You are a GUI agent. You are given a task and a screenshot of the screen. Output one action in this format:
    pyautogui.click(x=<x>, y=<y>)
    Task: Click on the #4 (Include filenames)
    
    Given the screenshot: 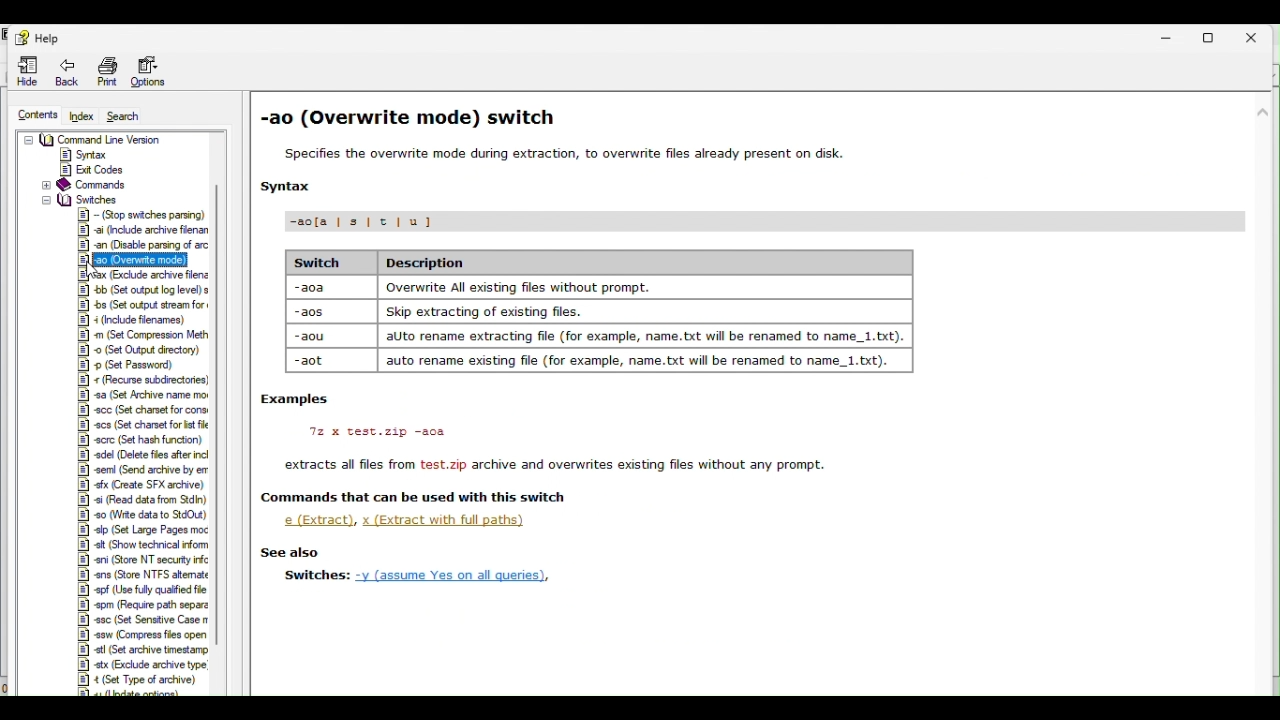 What is the action you would take?
    pyautogui.click(x=129, y=319)
    